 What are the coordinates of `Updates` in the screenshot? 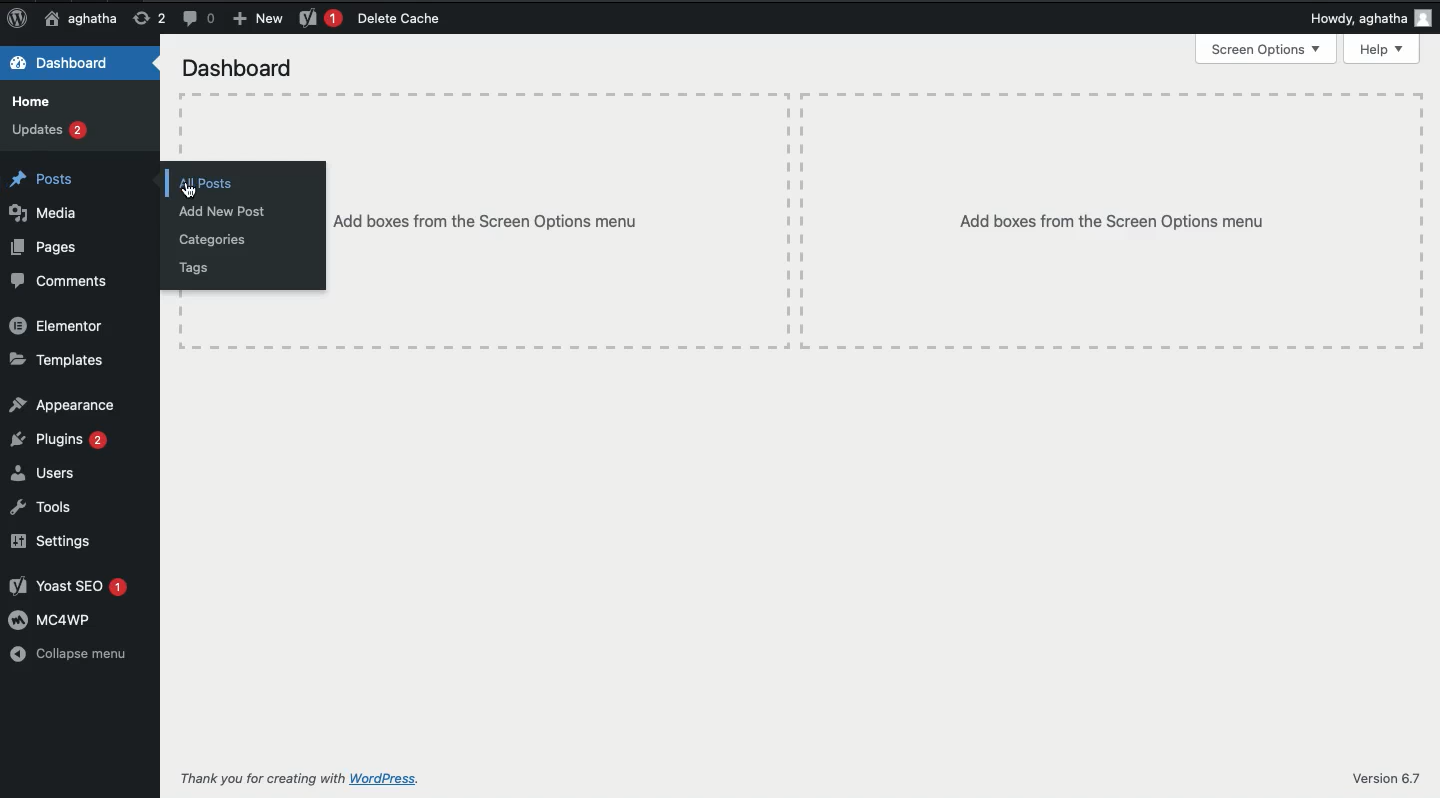 It's located at (50, 128).